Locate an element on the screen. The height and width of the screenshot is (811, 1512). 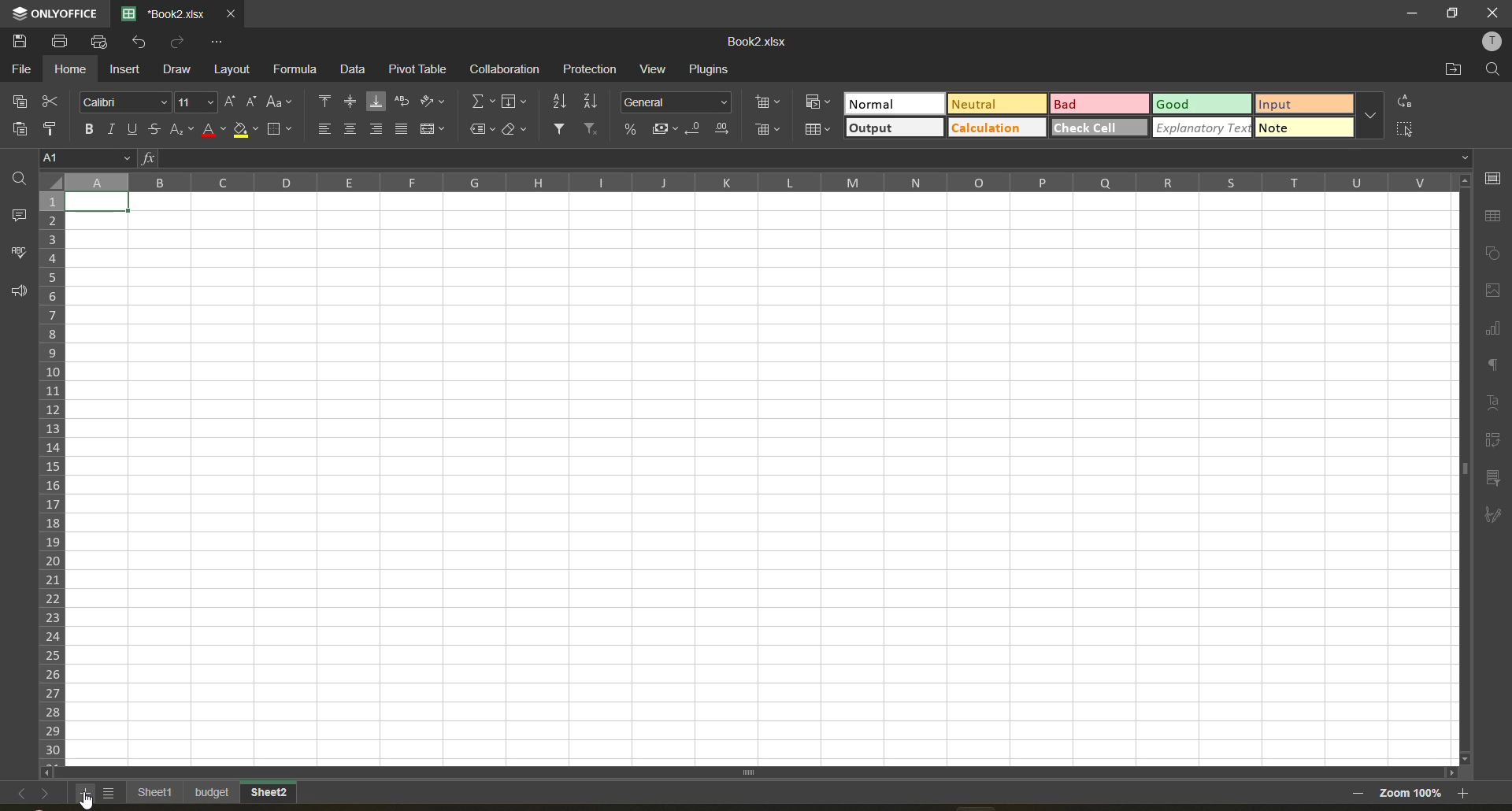
row numbers is located at coordinates (52, 476).